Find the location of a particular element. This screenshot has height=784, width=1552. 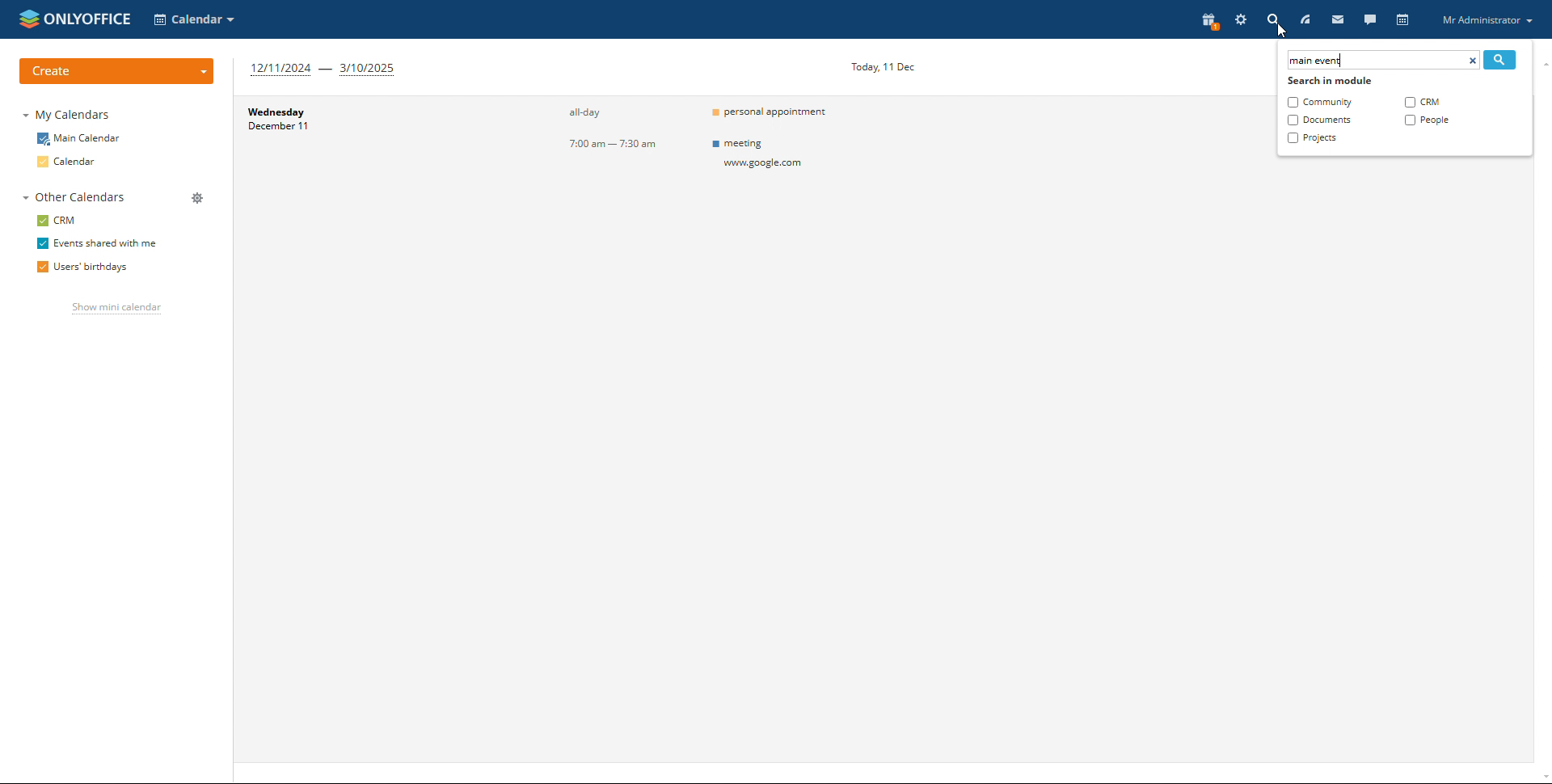

people is located at coordinates (1426, 120).